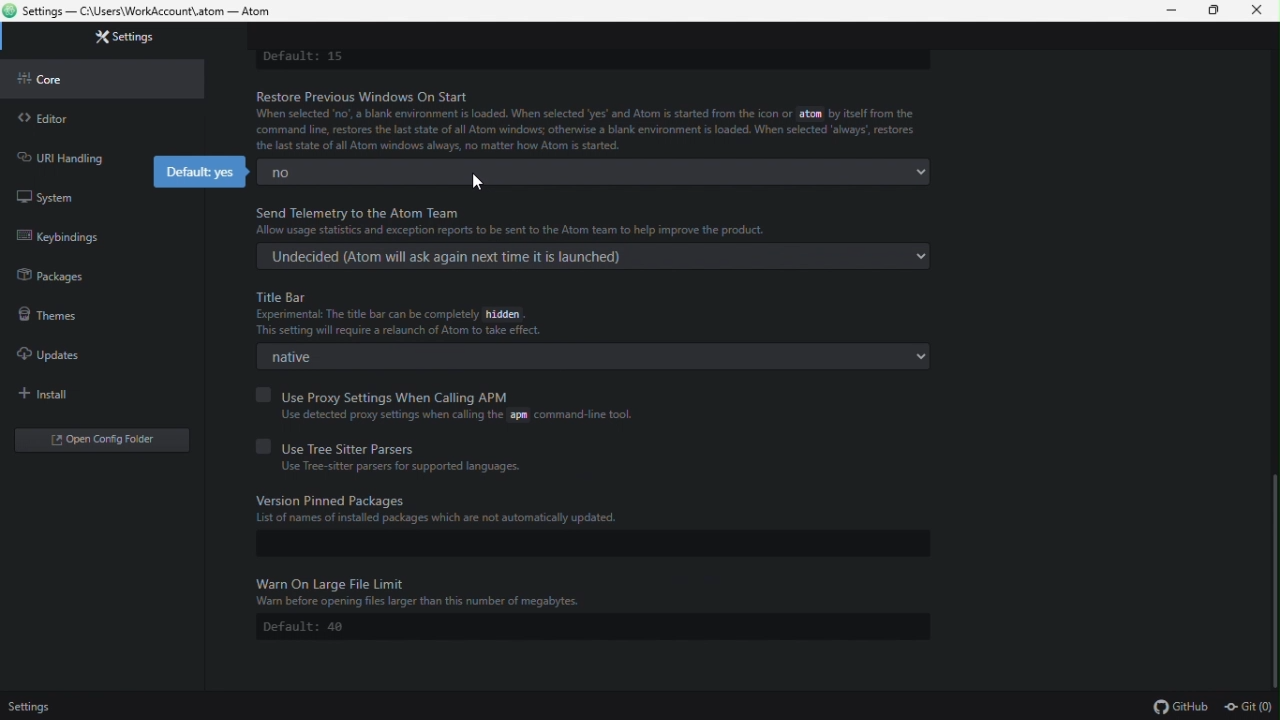 This screenshot has height=720, width=1280. What do you see at coordinates (1250, 706) in the screenshot?
I see `git` at bounding box center [1250, 706].